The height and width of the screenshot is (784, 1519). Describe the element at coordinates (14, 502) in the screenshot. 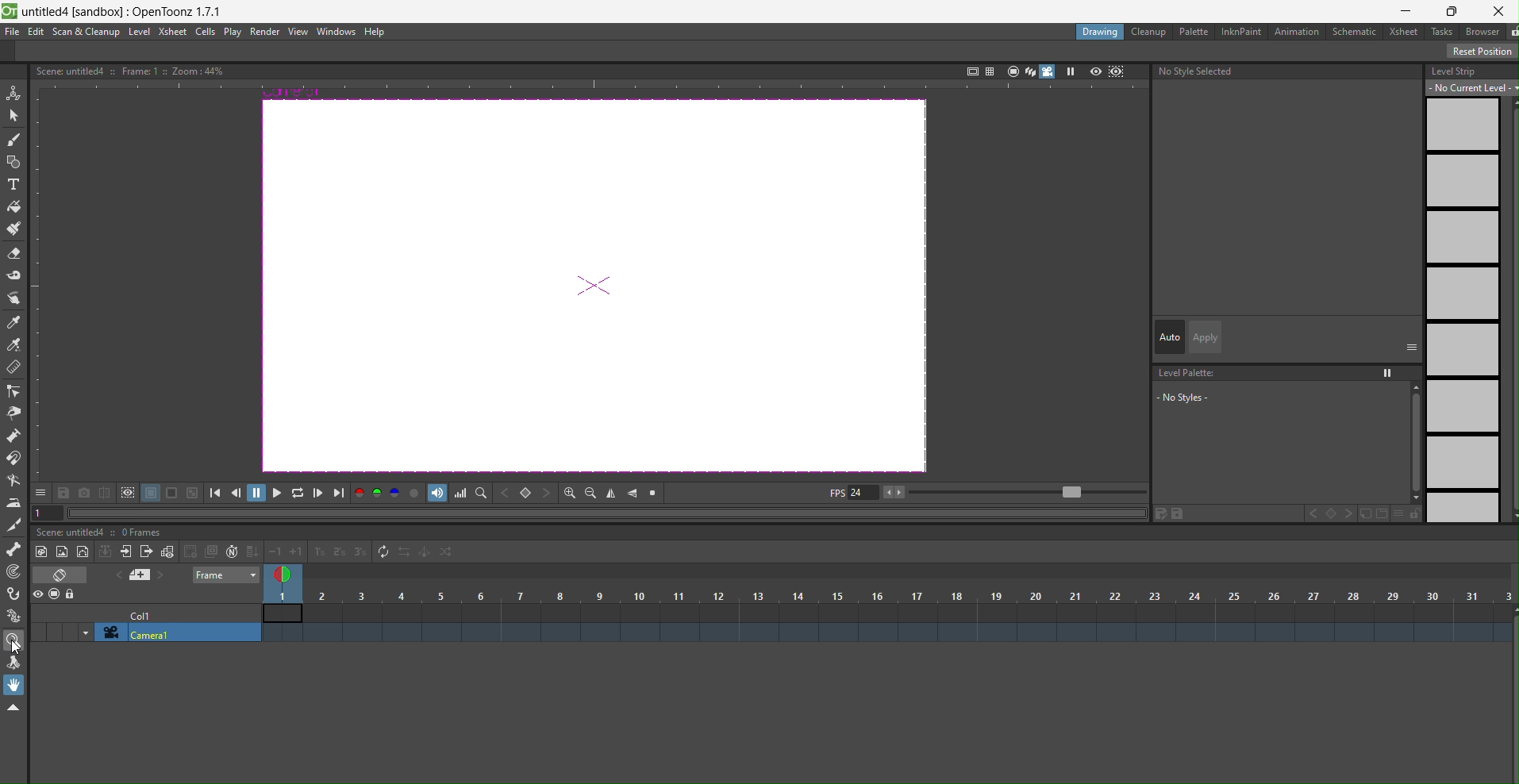

I see `iron tool` at that location.